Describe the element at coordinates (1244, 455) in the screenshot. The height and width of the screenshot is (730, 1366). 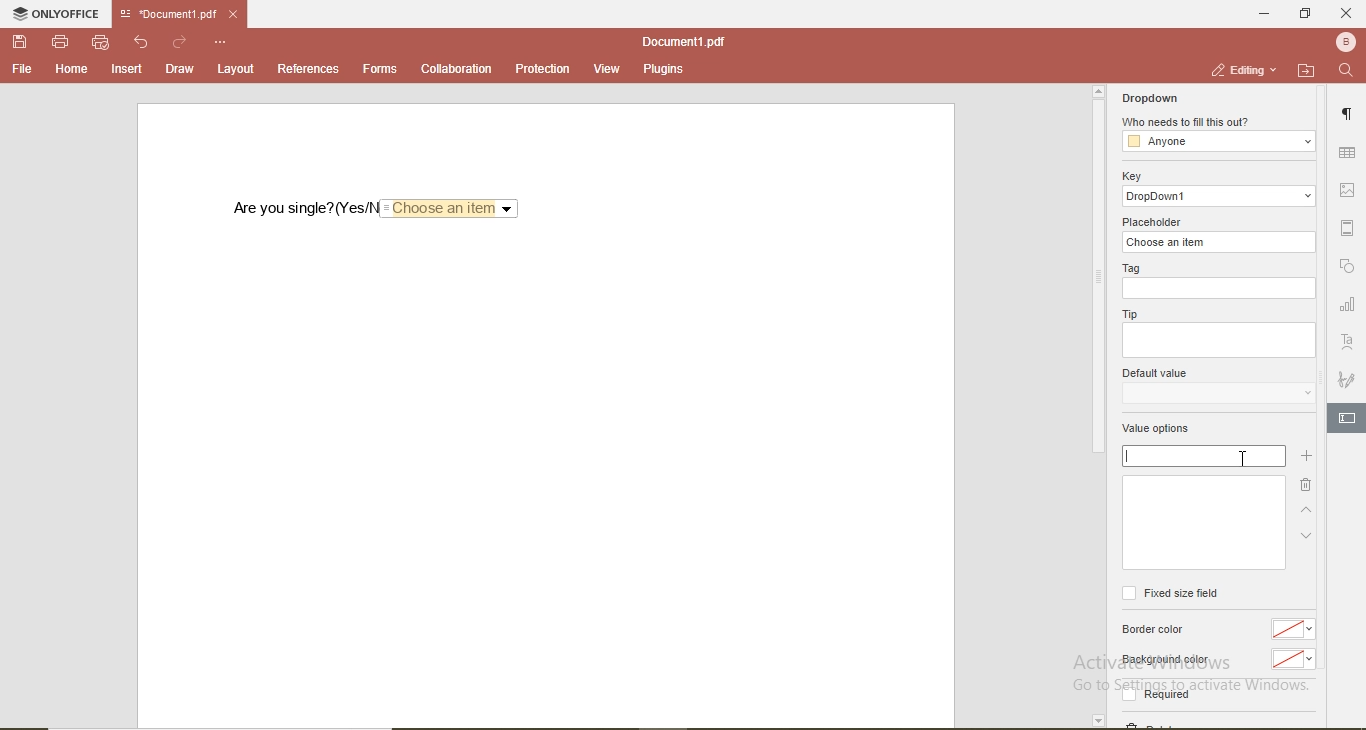
I see `cursor` at that location.